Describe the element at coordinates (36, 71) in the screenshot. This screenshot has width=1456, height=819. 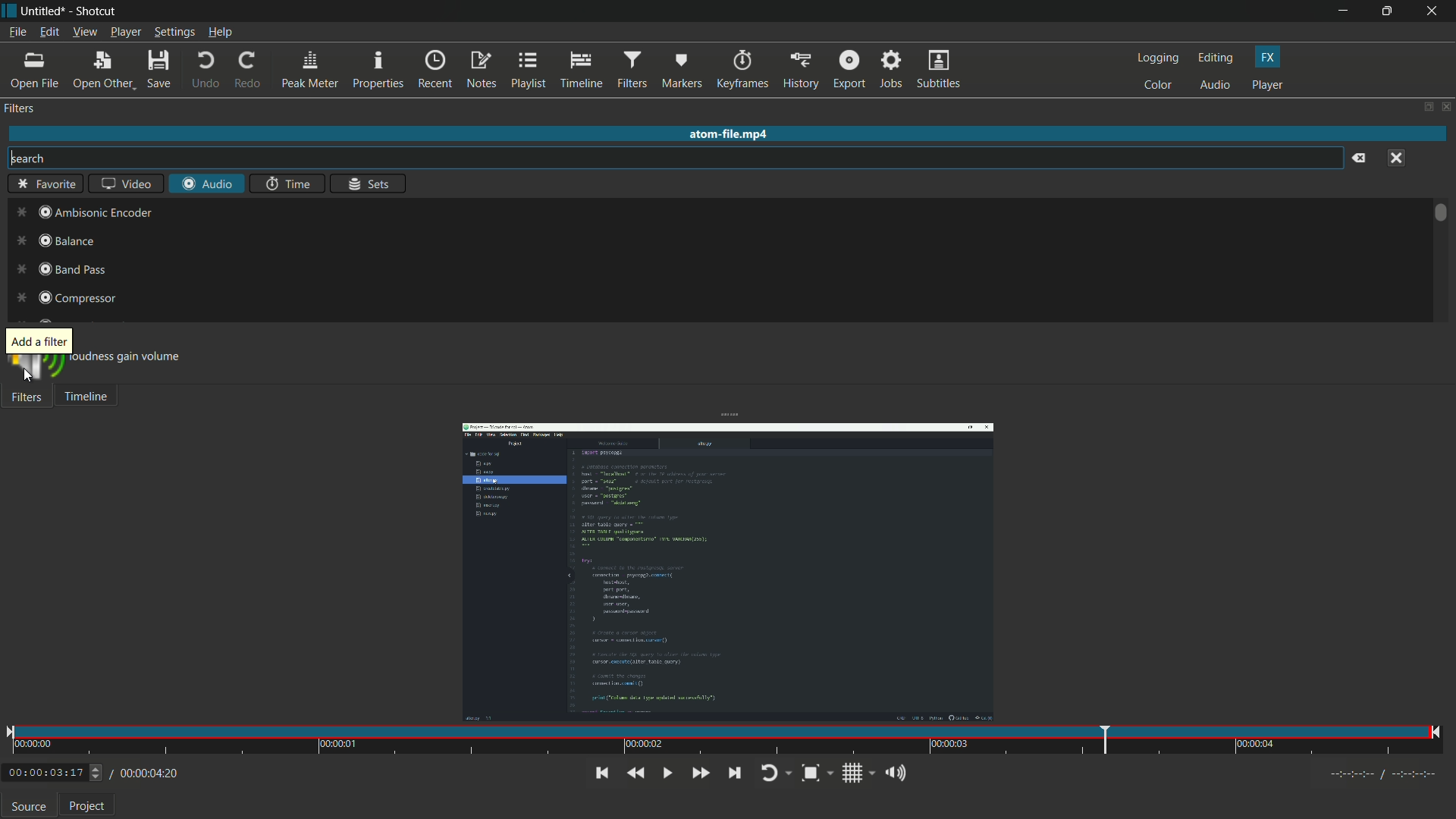
I see `open file` at that location.